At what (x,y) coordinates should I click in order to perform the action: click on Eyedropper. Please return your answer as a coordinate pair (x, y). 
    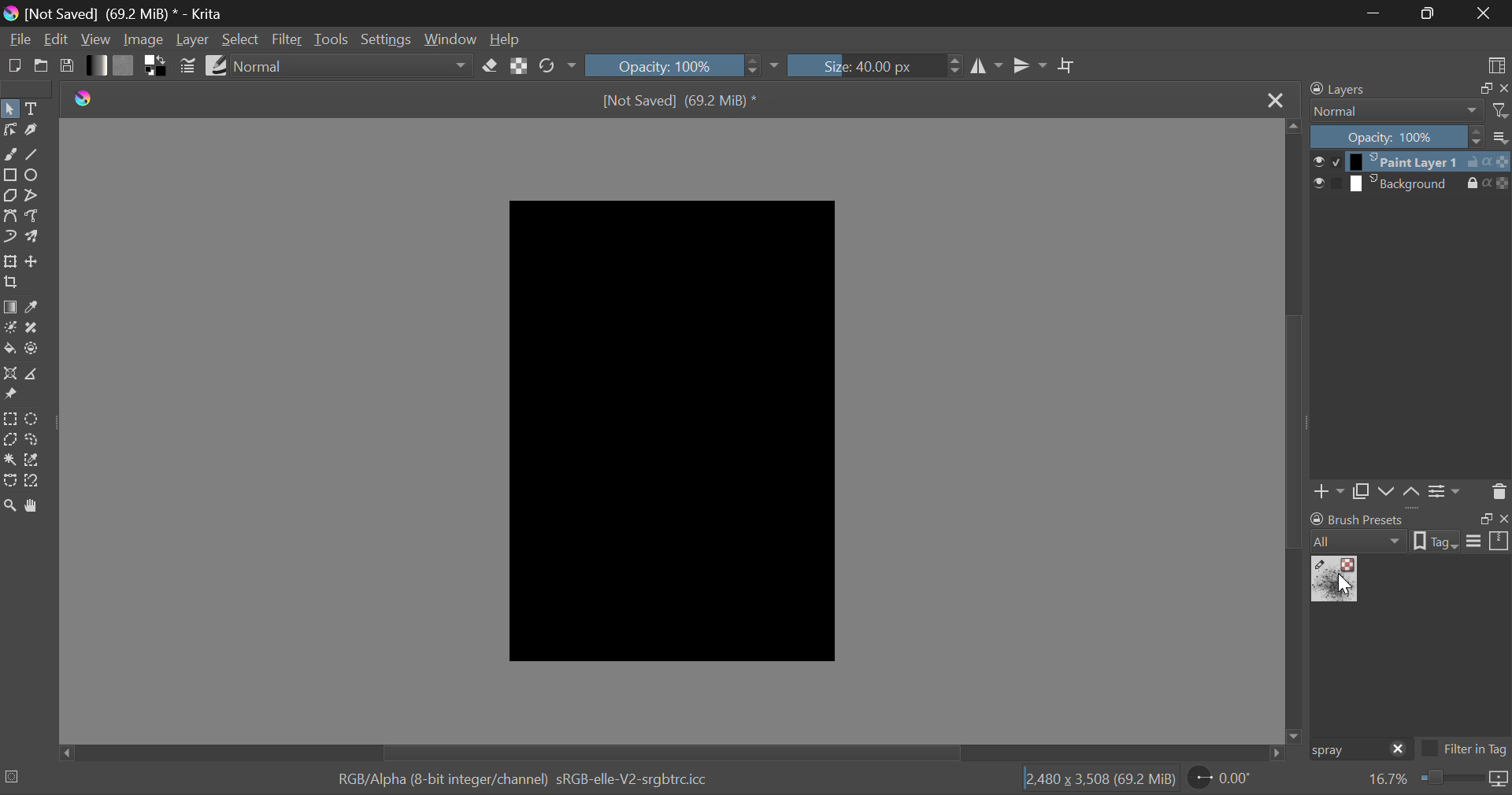
    Looking at the image, I should click on (34, 309).